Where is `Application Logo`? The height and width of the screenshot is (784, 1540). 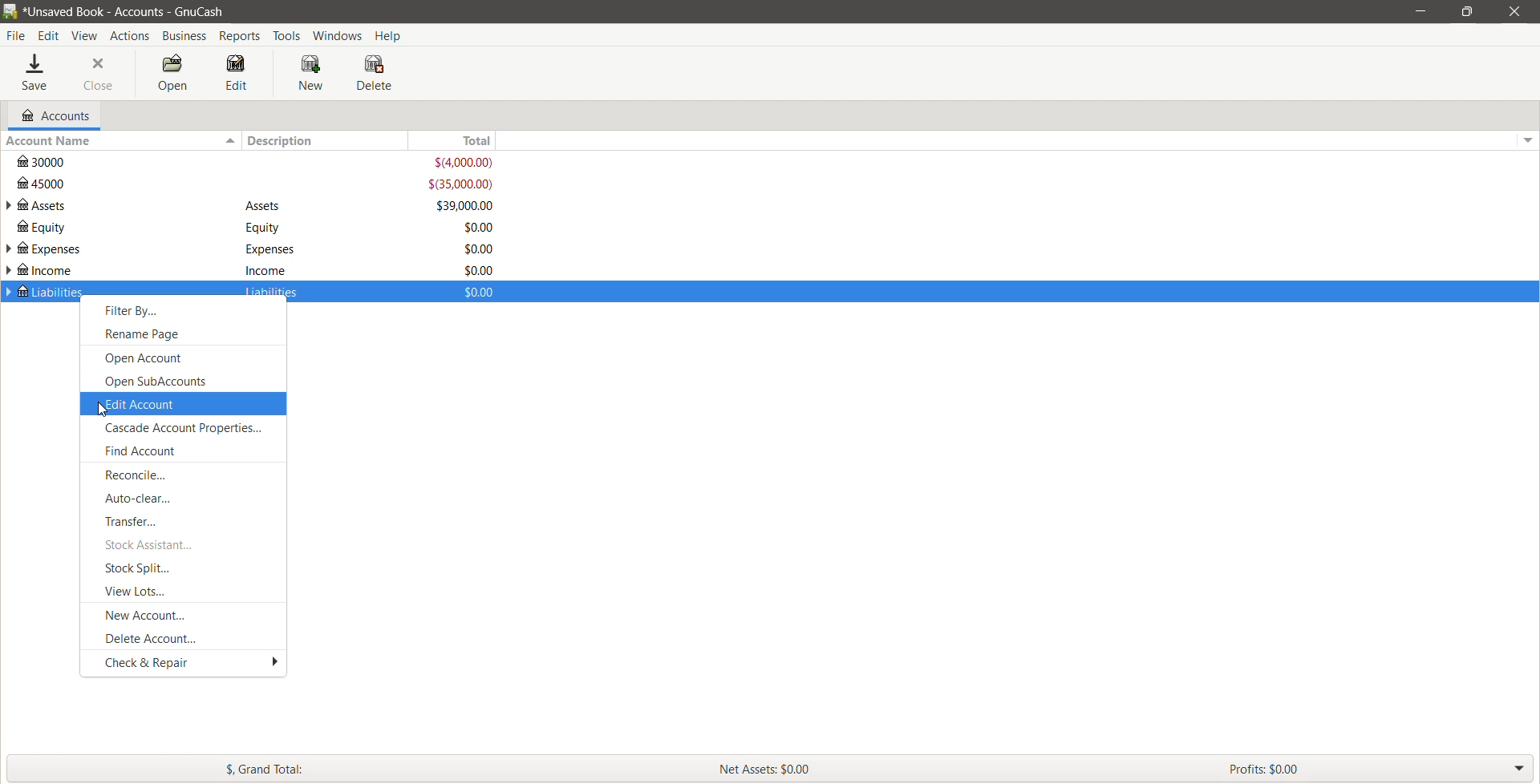
Application Logo is located at coordinates (10, 12).